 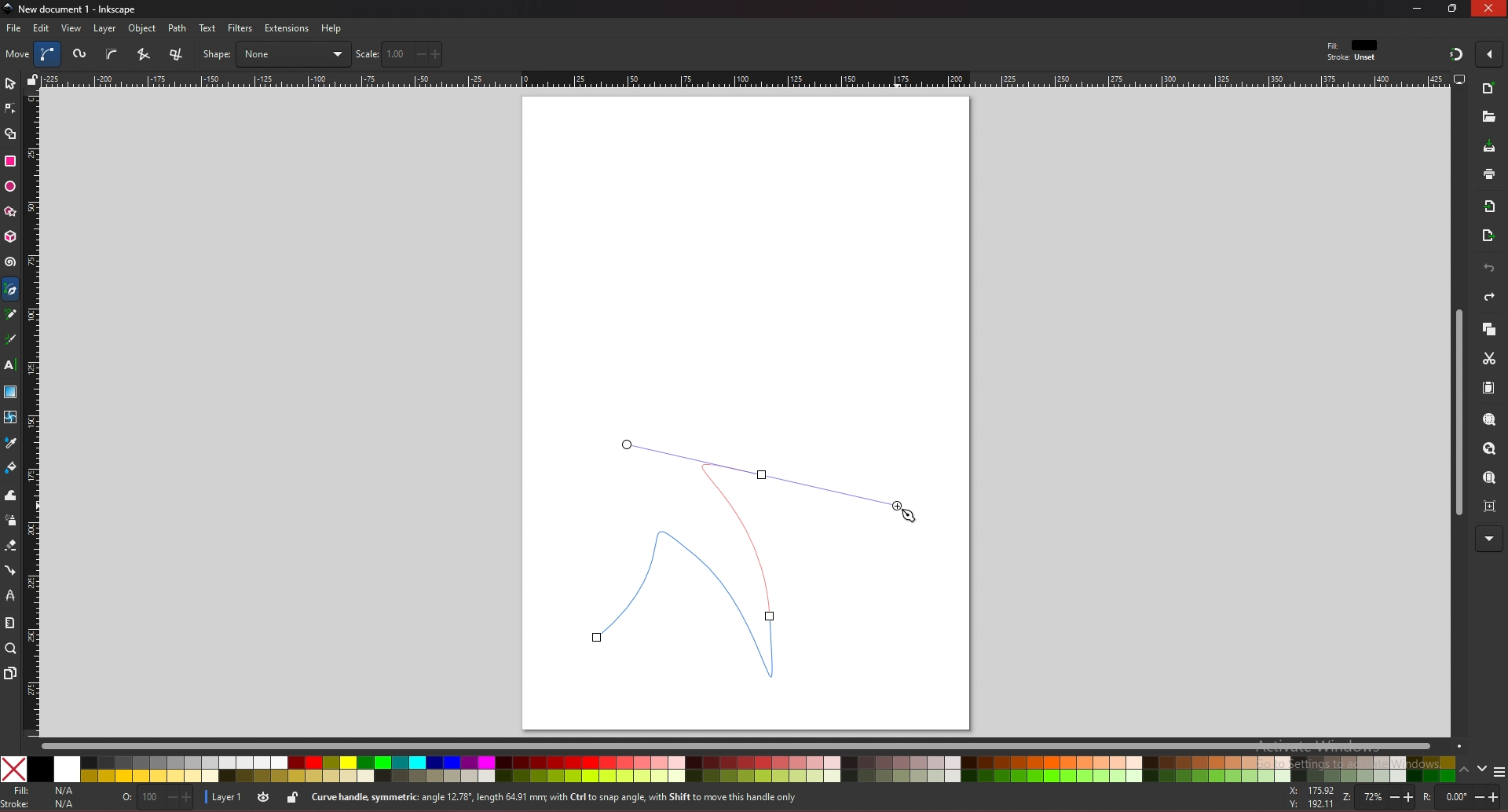 What do you see at coordinates (9, 417) in the screenshot?
I see `mesh` at bounding box center [9, 417].